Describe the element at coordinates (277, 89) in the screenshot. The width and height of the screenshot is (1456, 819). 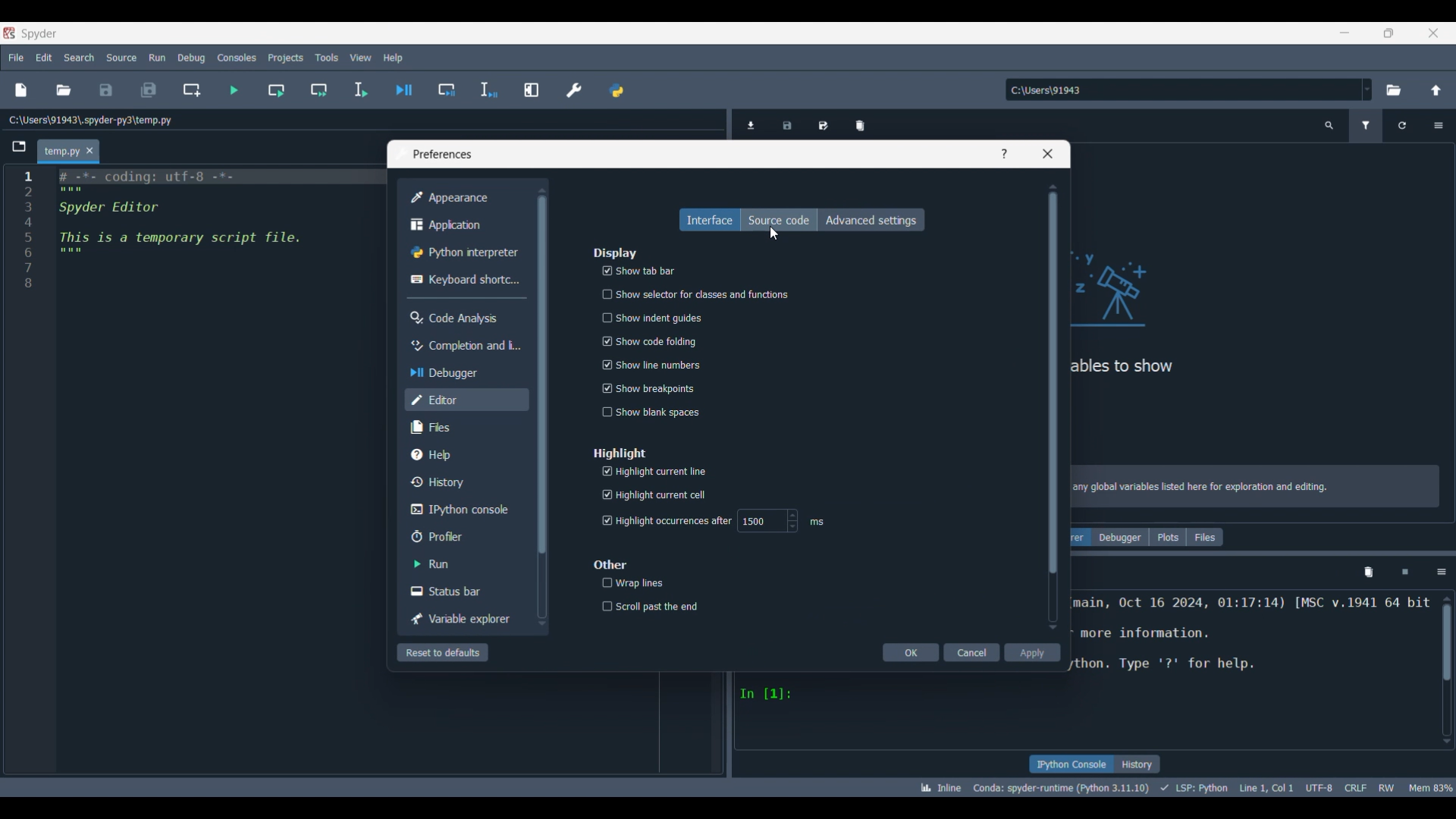
I see `Run current cell` at that location.